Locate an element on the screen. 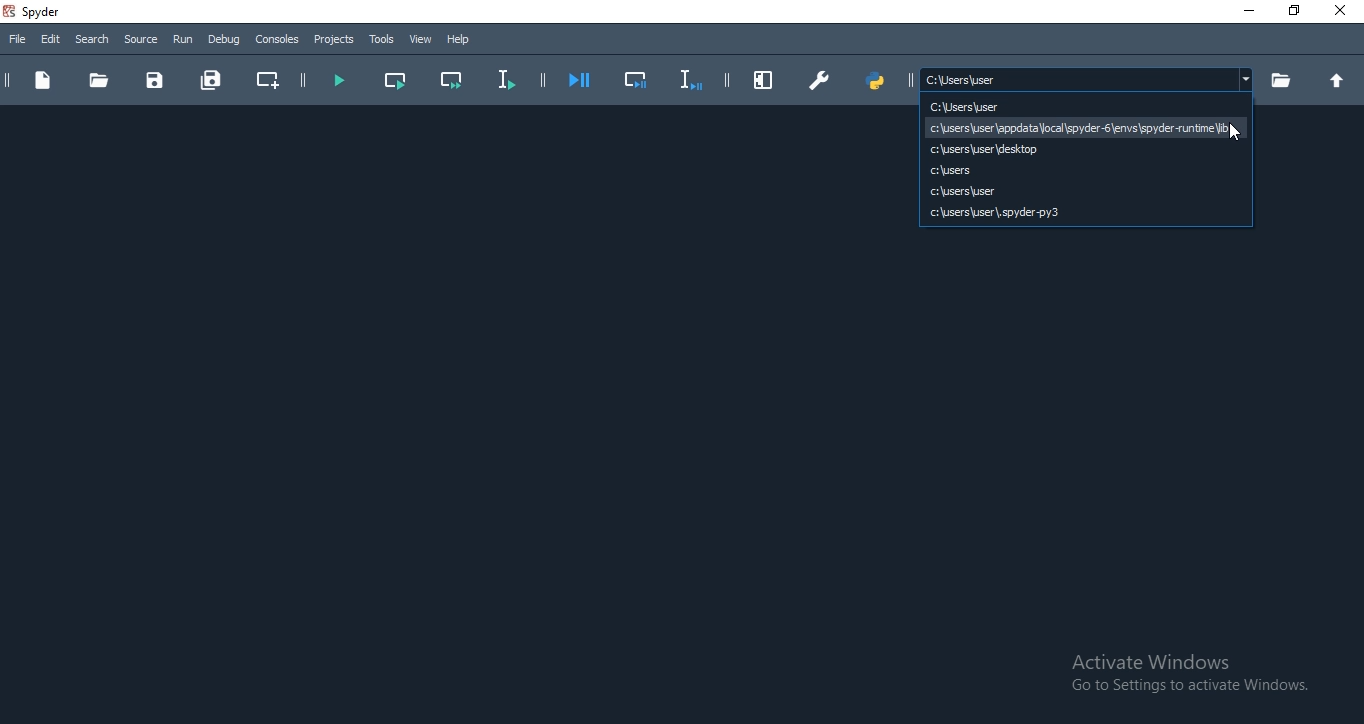 The height and width of the screenshot is (724, 1364). help is located at coordinates (460, 40).